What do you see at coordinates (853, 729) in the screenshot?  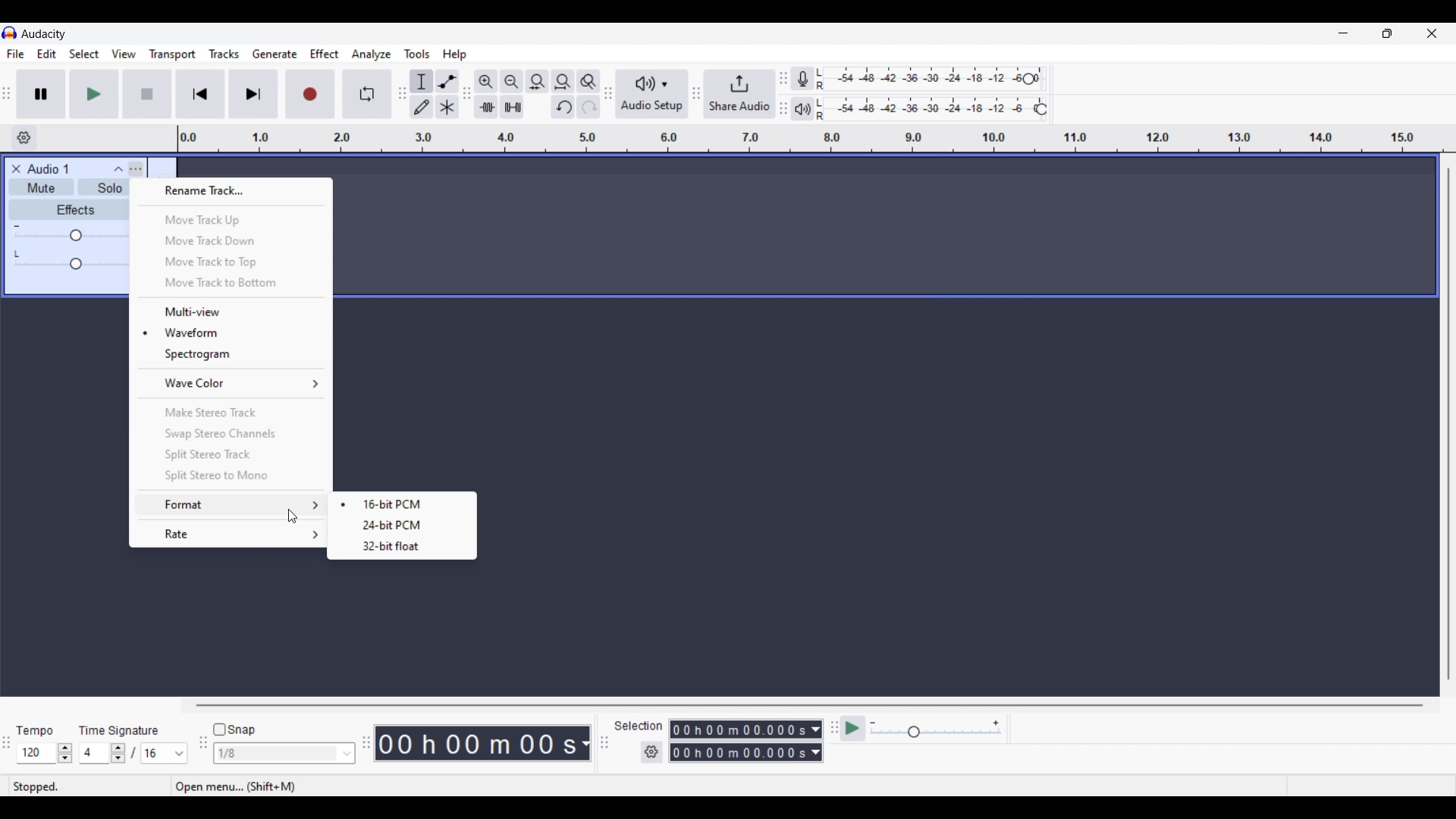 I see `Play-at-speed/Play-at-speed oncce` at bounding box center [853, 729].